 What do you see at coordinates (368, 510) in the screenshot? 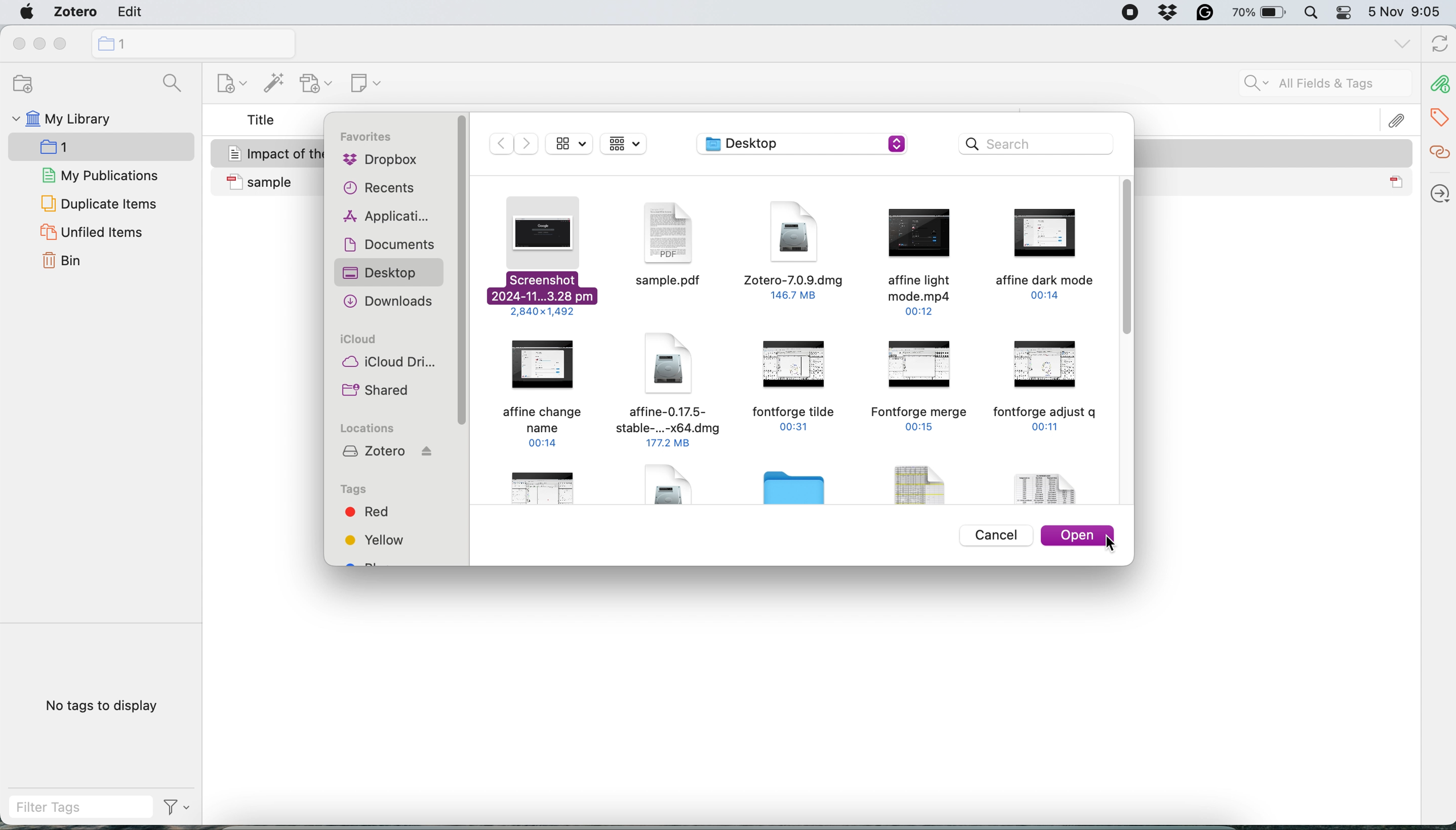
I see `red` at bounding box center [368, 510].